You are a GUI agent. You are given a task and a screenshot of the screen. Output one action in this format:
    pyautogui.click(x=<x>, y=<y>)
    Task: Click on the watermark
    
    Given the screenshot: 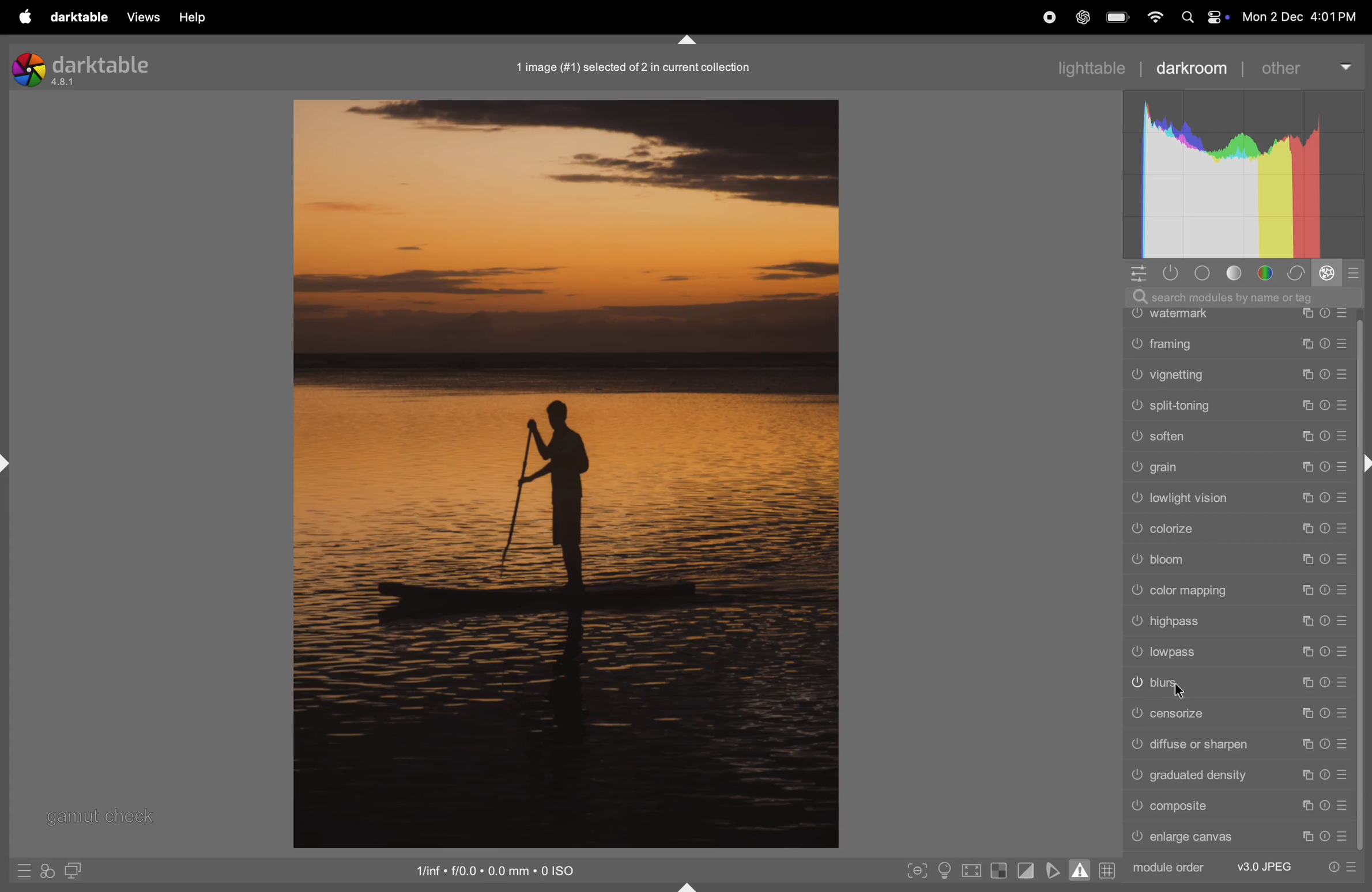 What is the action you would take?
    pyautogui.click(x=1248, y=314)
    